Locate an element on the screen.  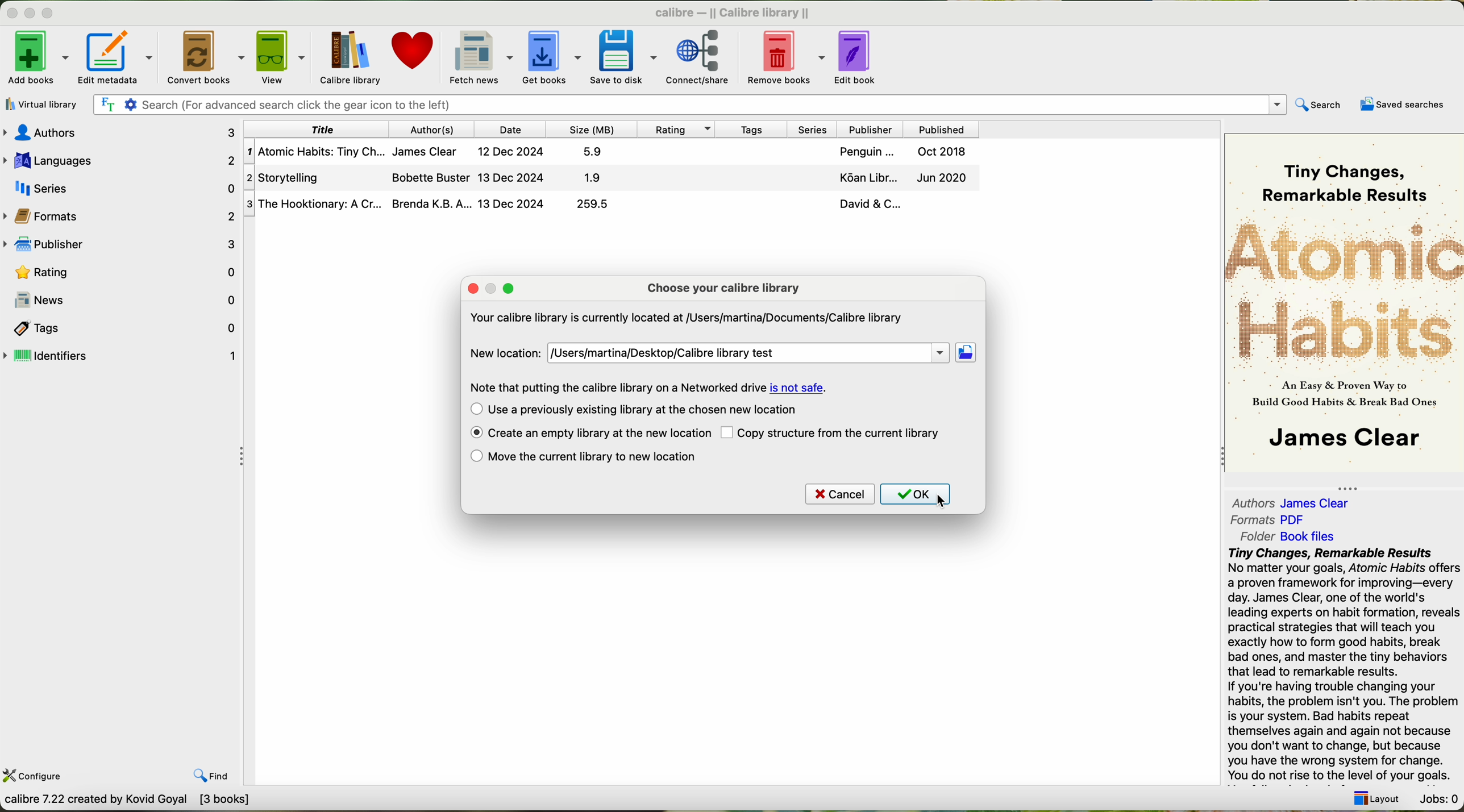
series is located at coordinates (809, 128).